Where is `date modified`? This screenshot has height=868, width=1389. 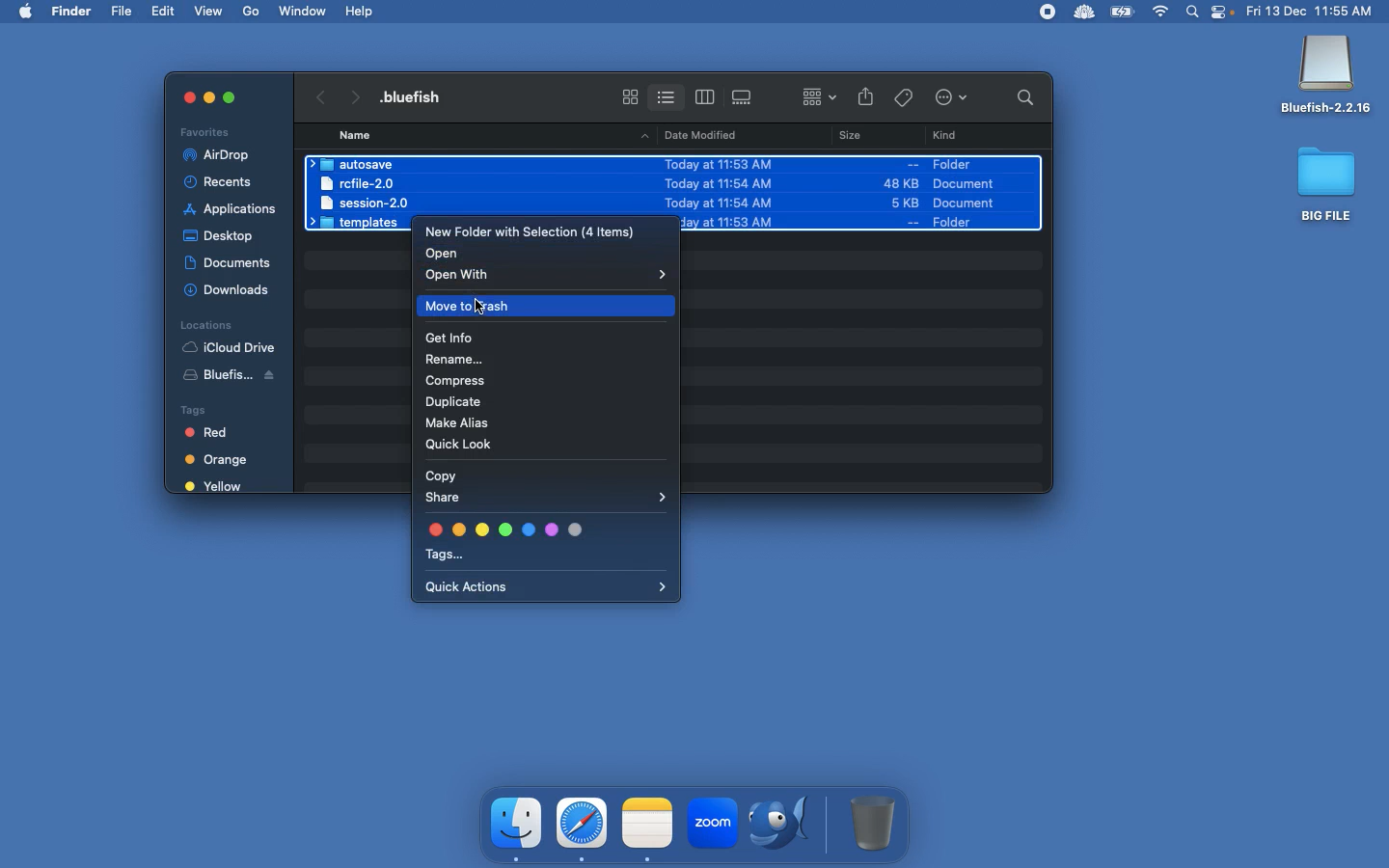
date modified is located at coordinates (719, 191).